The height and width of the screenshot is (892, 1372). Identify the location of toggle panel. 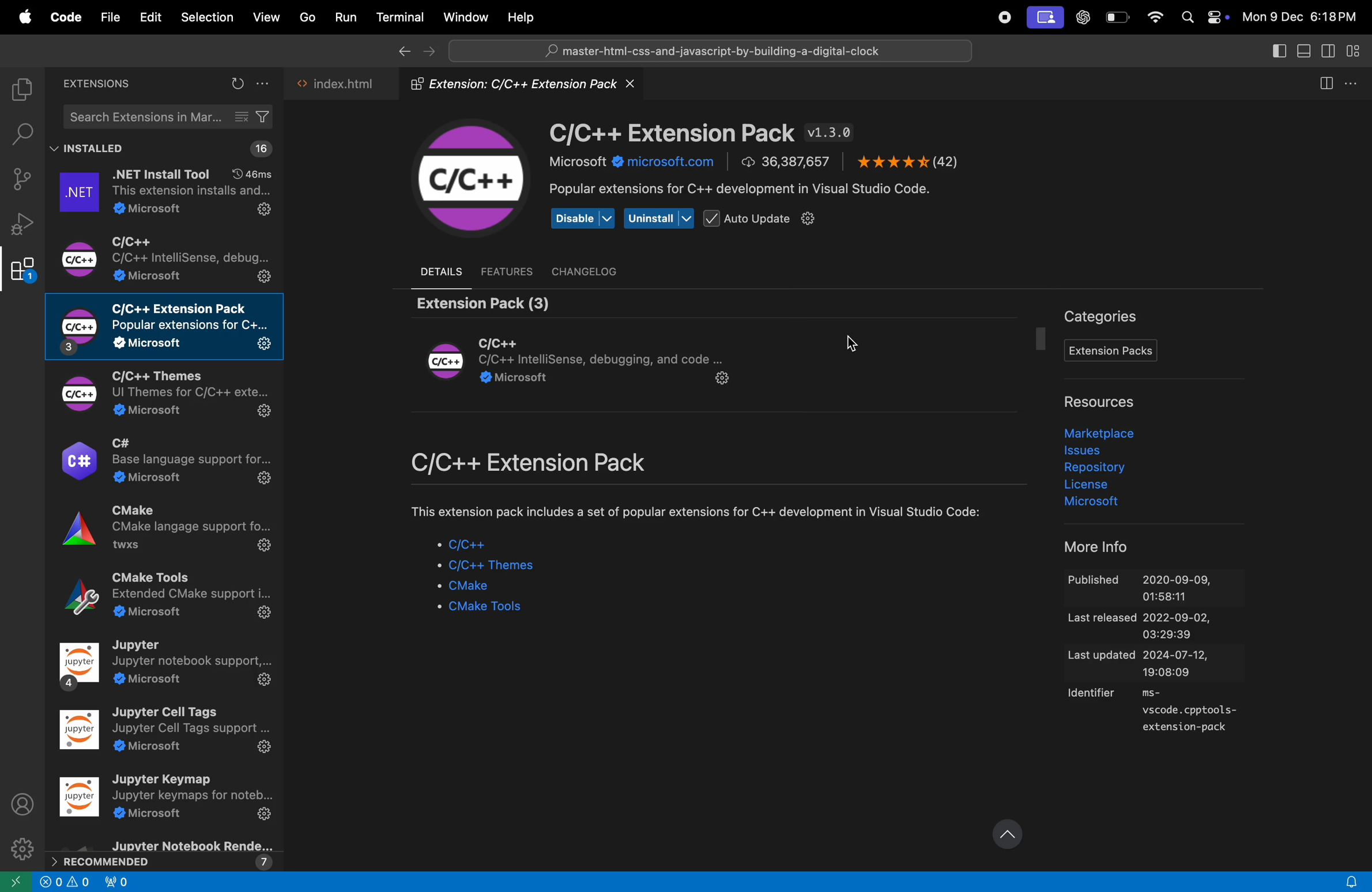
(1301, 50).